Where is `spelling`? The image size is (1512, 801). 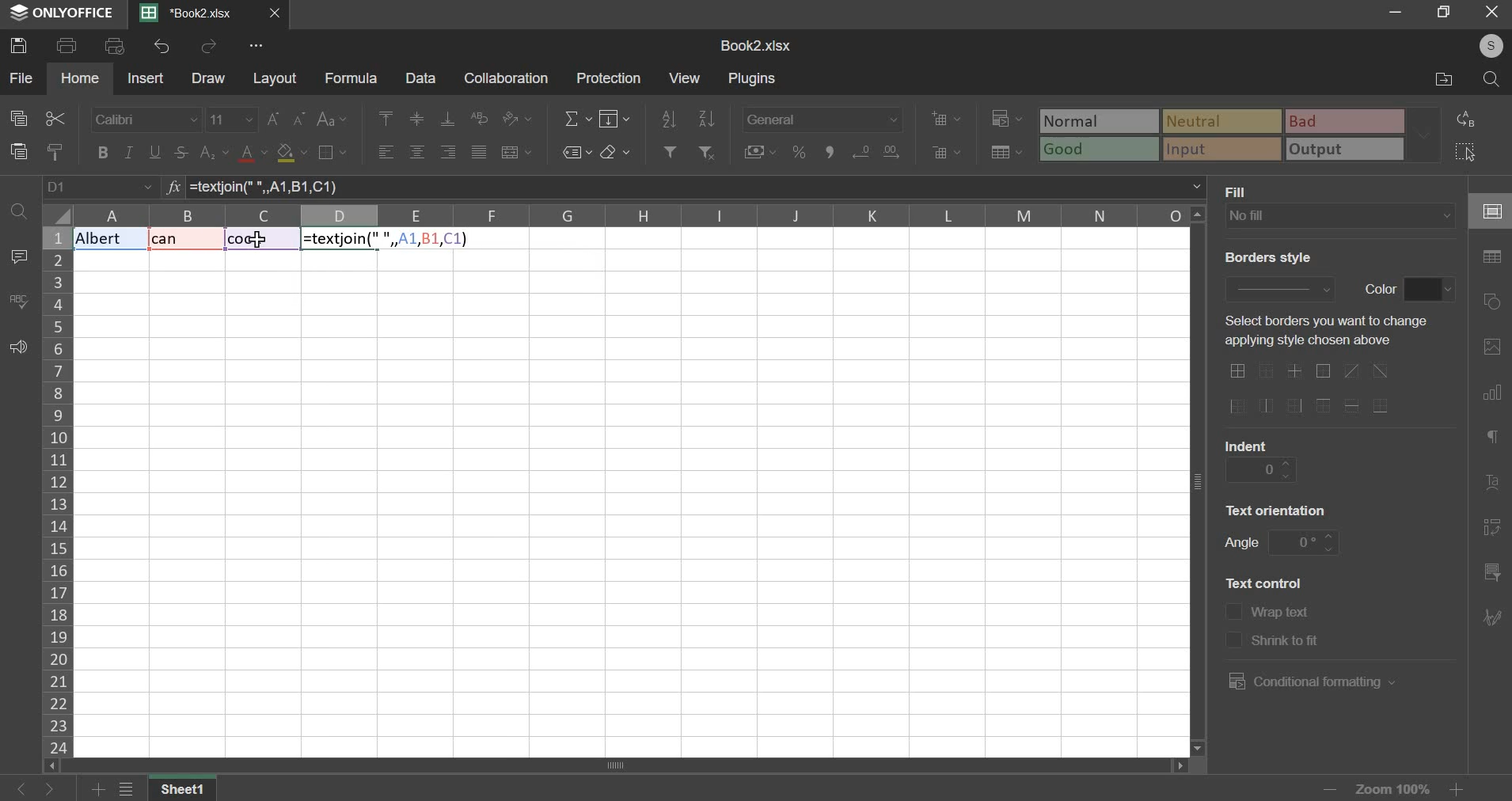
spelling is located at coordinates (18, 301).